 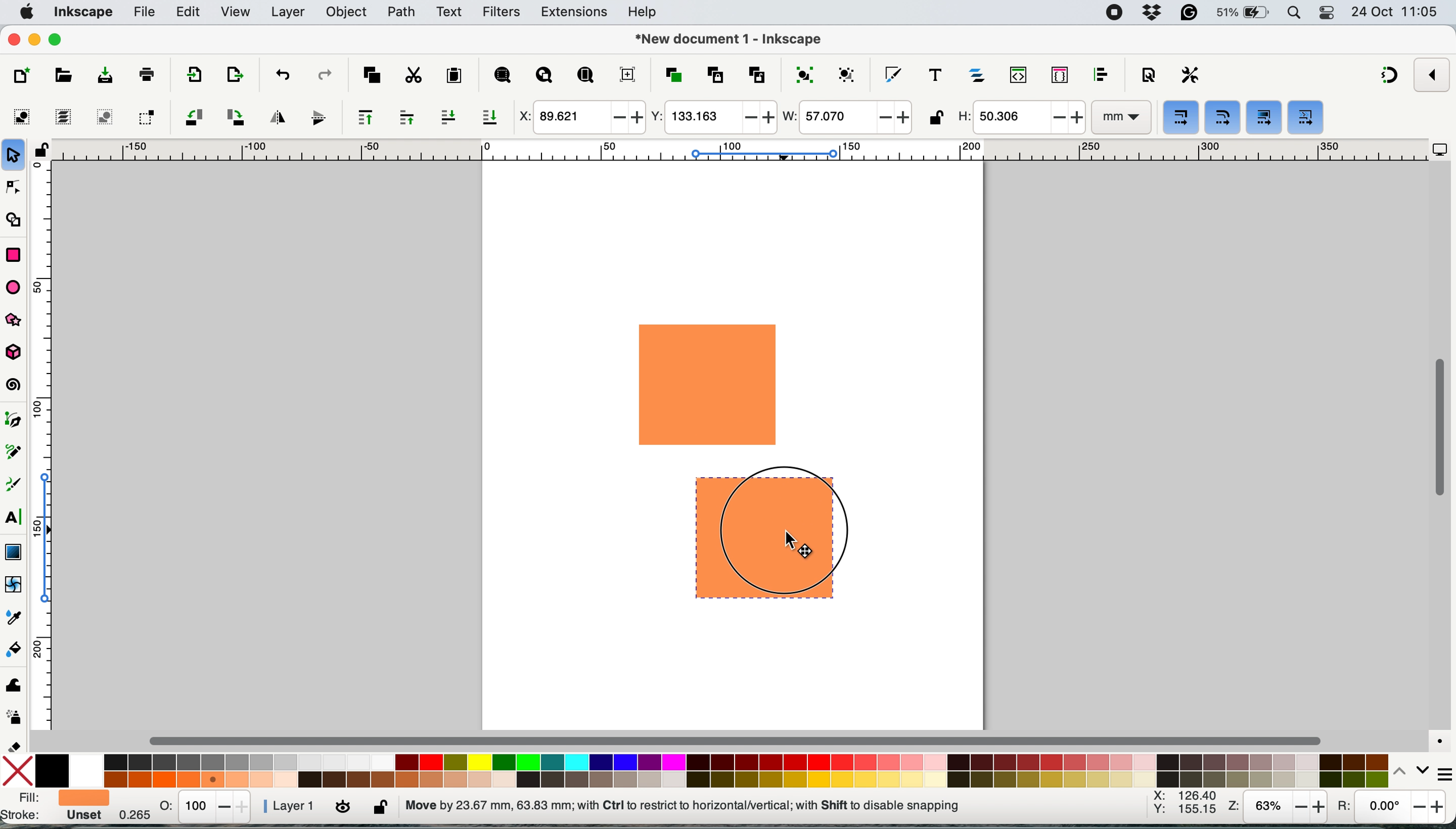 I want to click on redo, so click(x=324, y=74).